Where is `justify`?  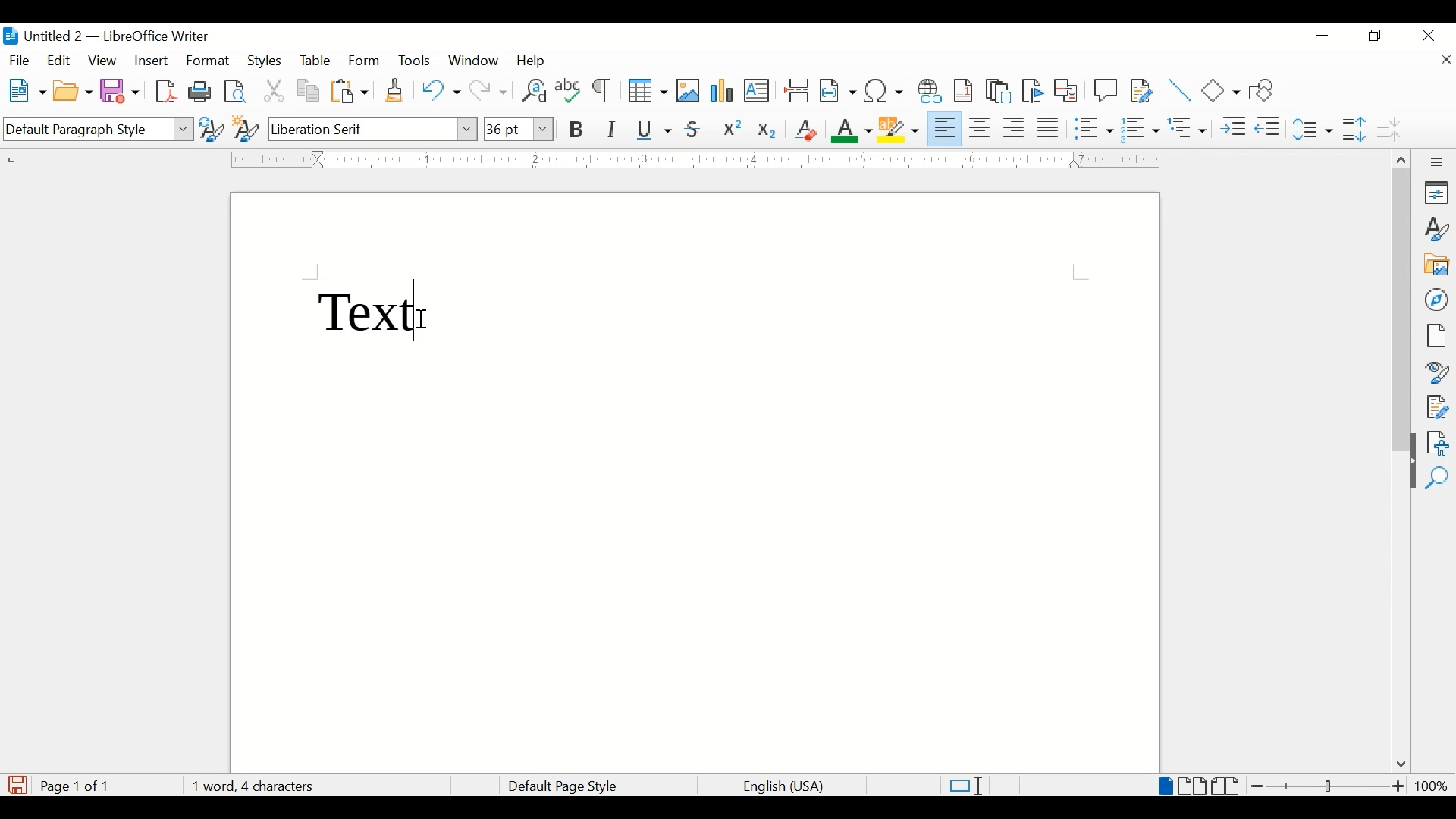 justify is located at coordinates (1049, 129).